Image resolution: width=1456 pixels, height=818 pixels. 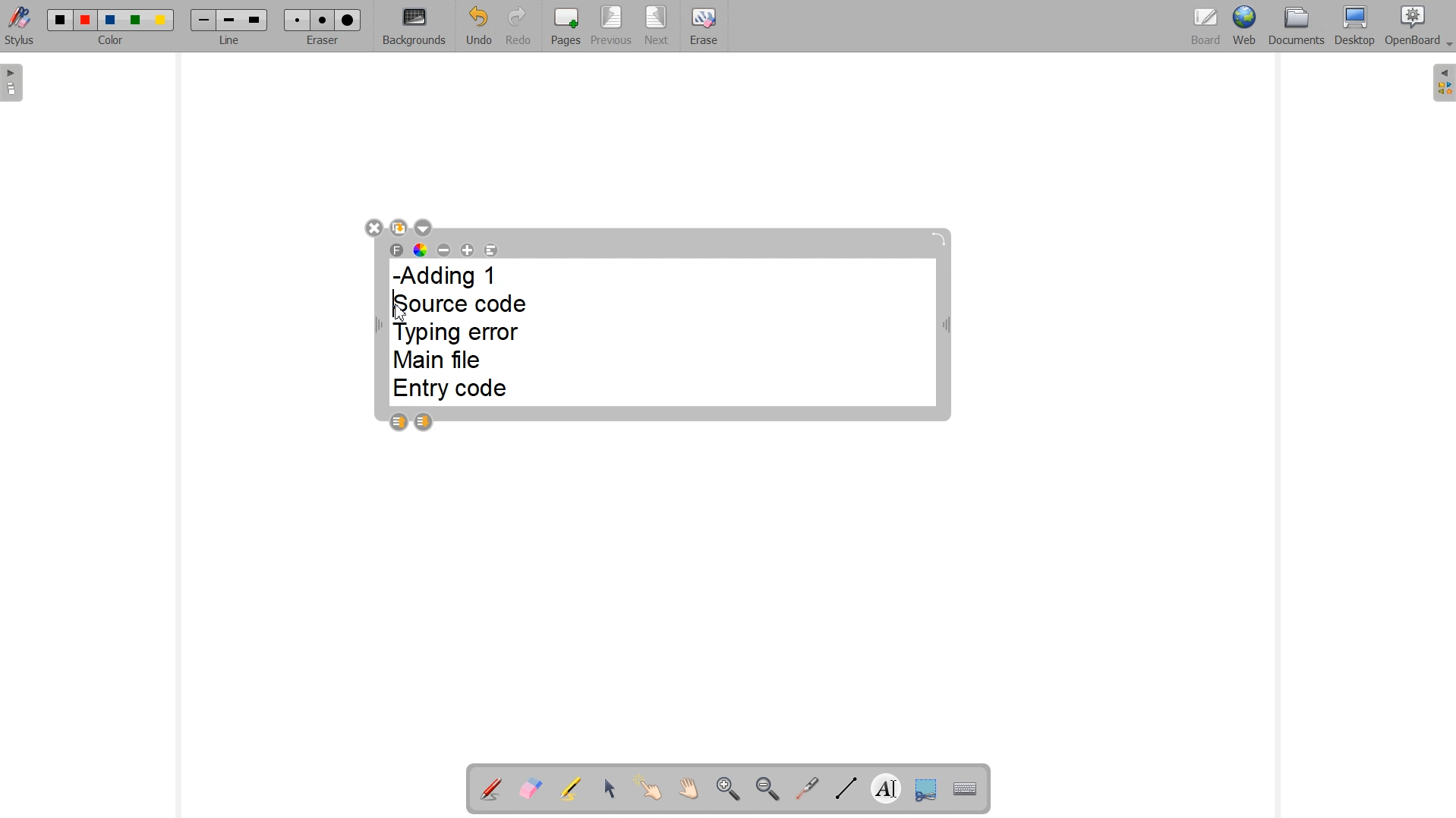 I want to click on Layer up, so click(x=398, y=422).